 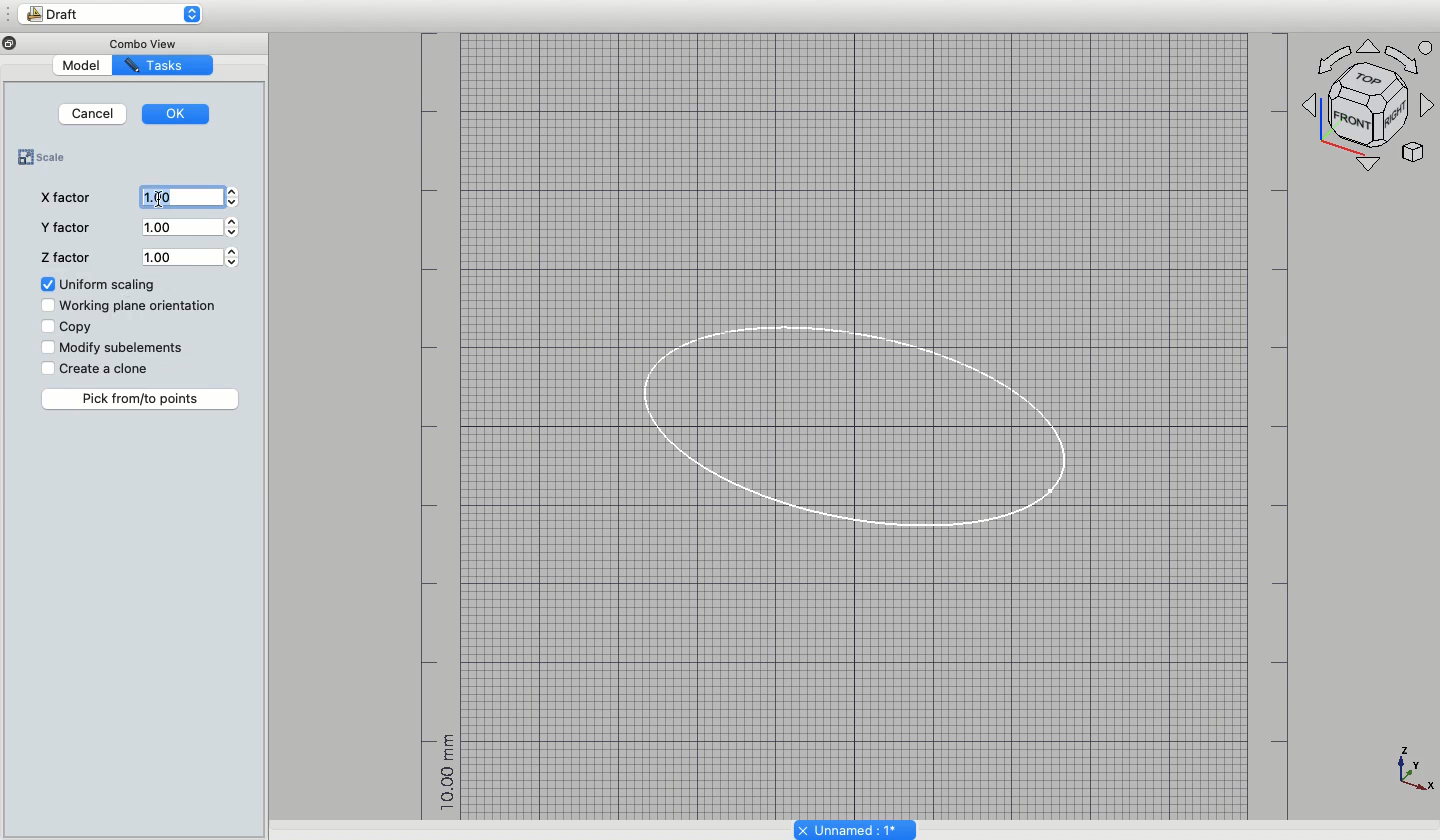 What do you see at coordinates (68, 257) in the screenshot?
I see `Z factor` at bounding box center [68, 257].